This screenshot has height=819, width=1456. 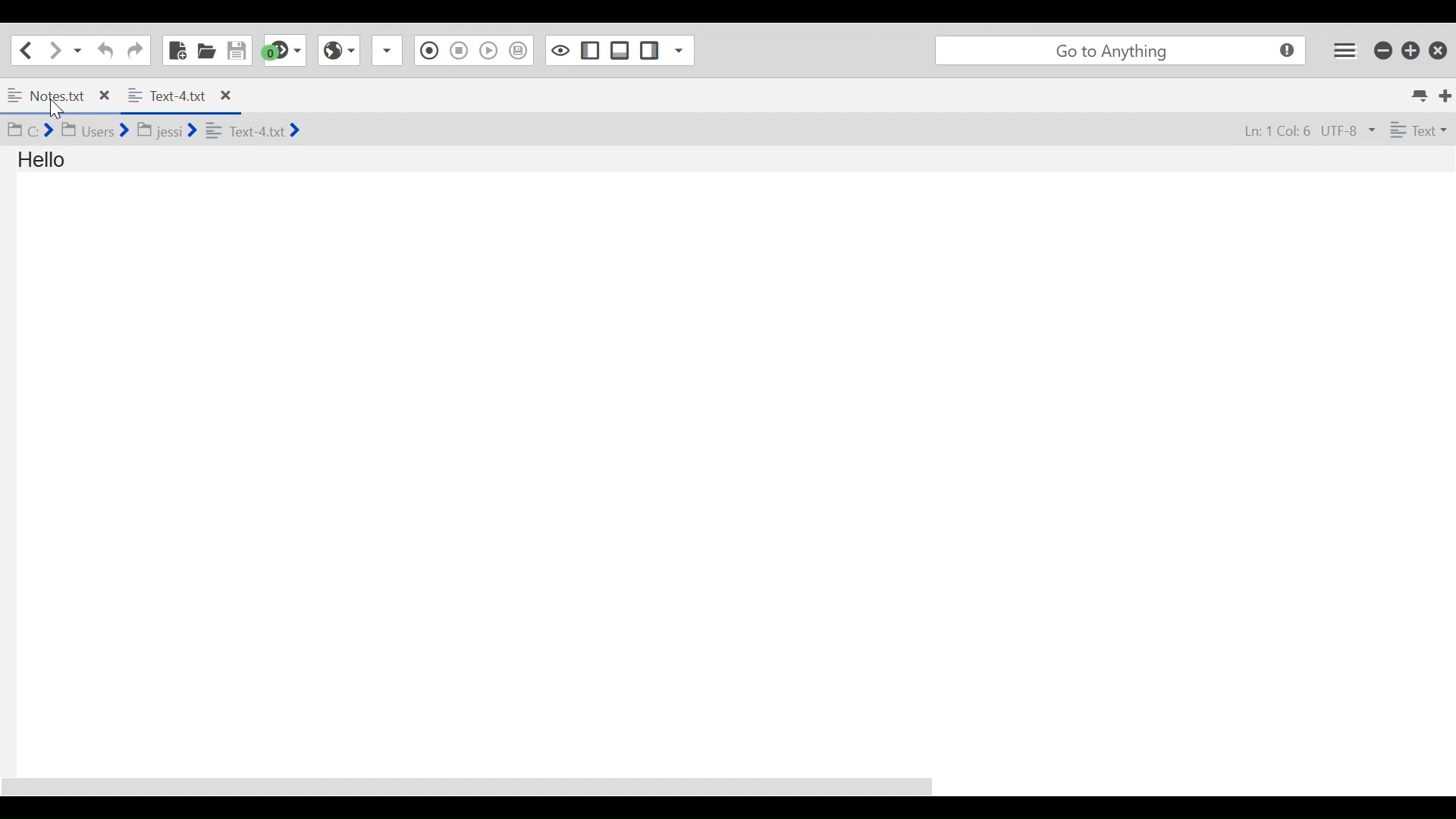 I want to click on New File, so click(x=175, y=49).